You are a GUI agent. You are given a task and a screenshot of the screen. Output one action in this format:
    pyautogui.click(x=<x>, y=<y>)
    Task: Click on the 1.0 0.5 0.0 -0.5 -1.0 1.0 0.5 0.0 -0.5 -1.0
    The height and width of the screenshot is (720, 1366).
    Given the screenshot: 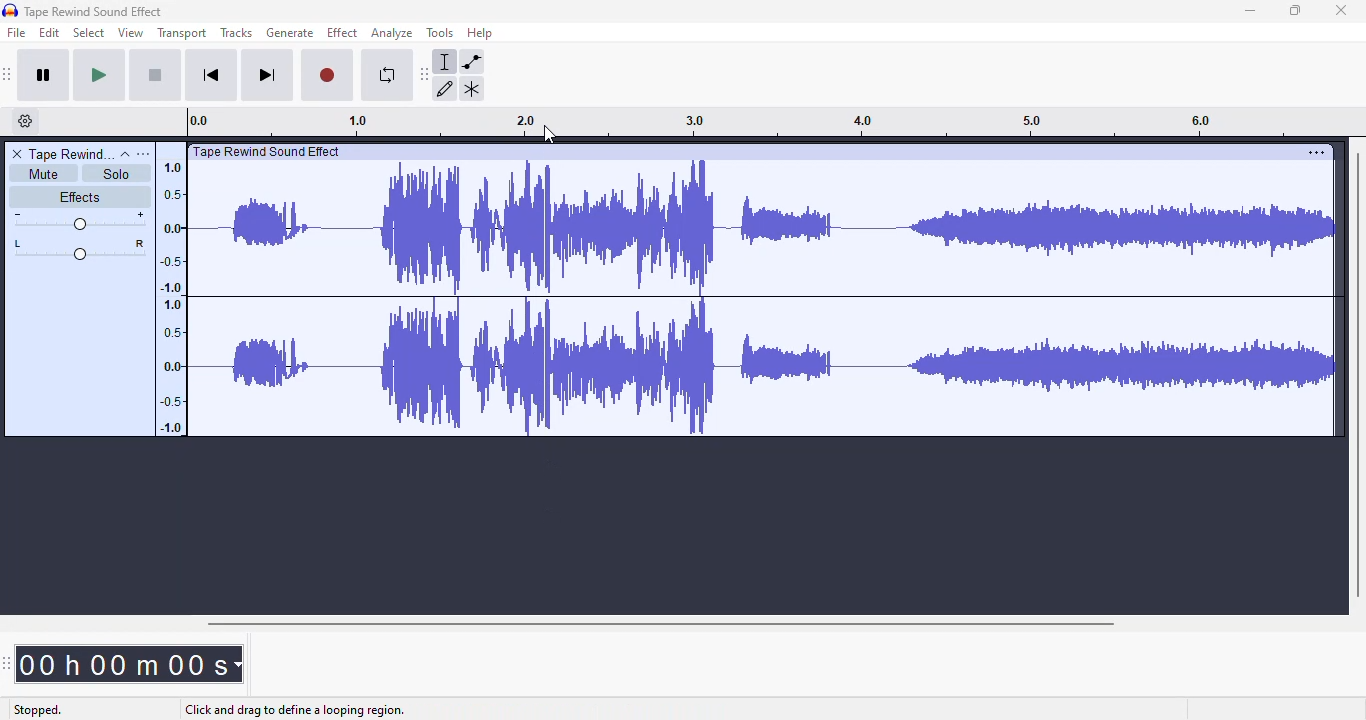 What is the action you would take?
    pyautogui.click(x=172, y=291)
    